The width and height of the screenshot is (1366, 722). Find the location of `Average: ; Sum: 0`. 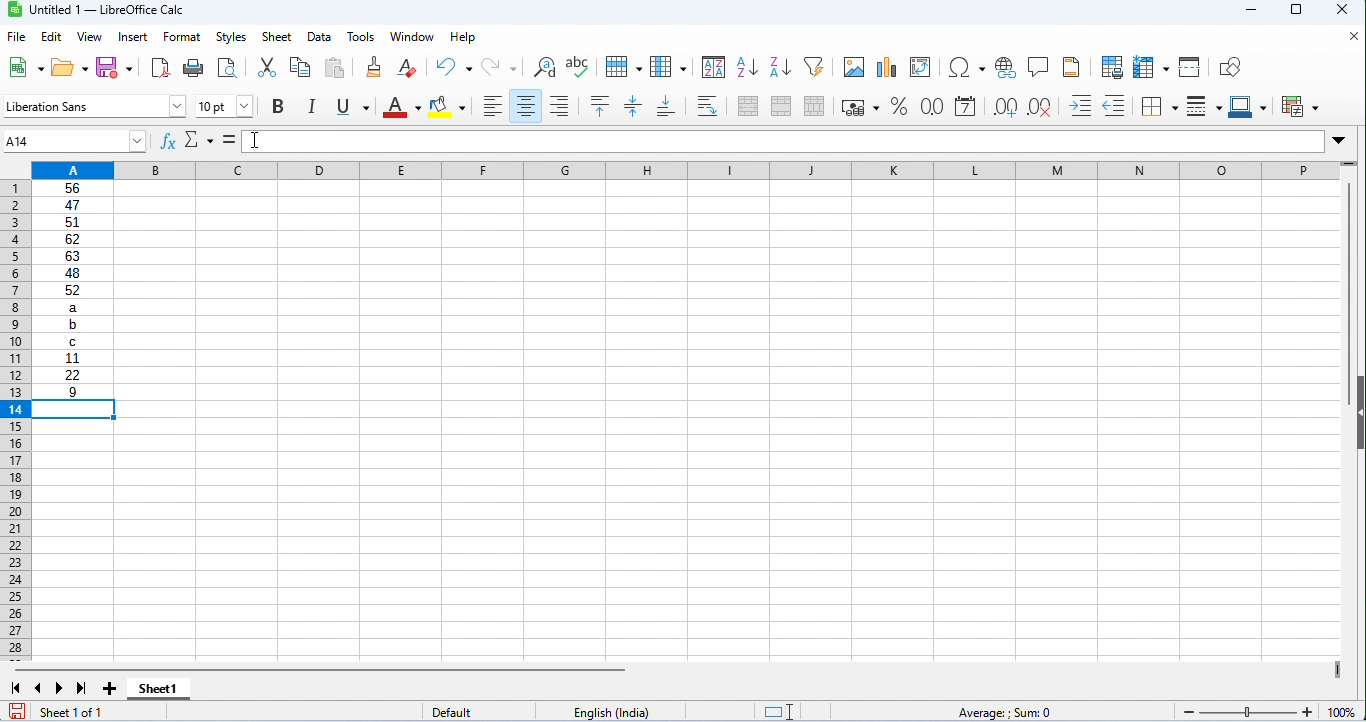

Average: ; Sum: 0 is located at coordinates (1002, 712).